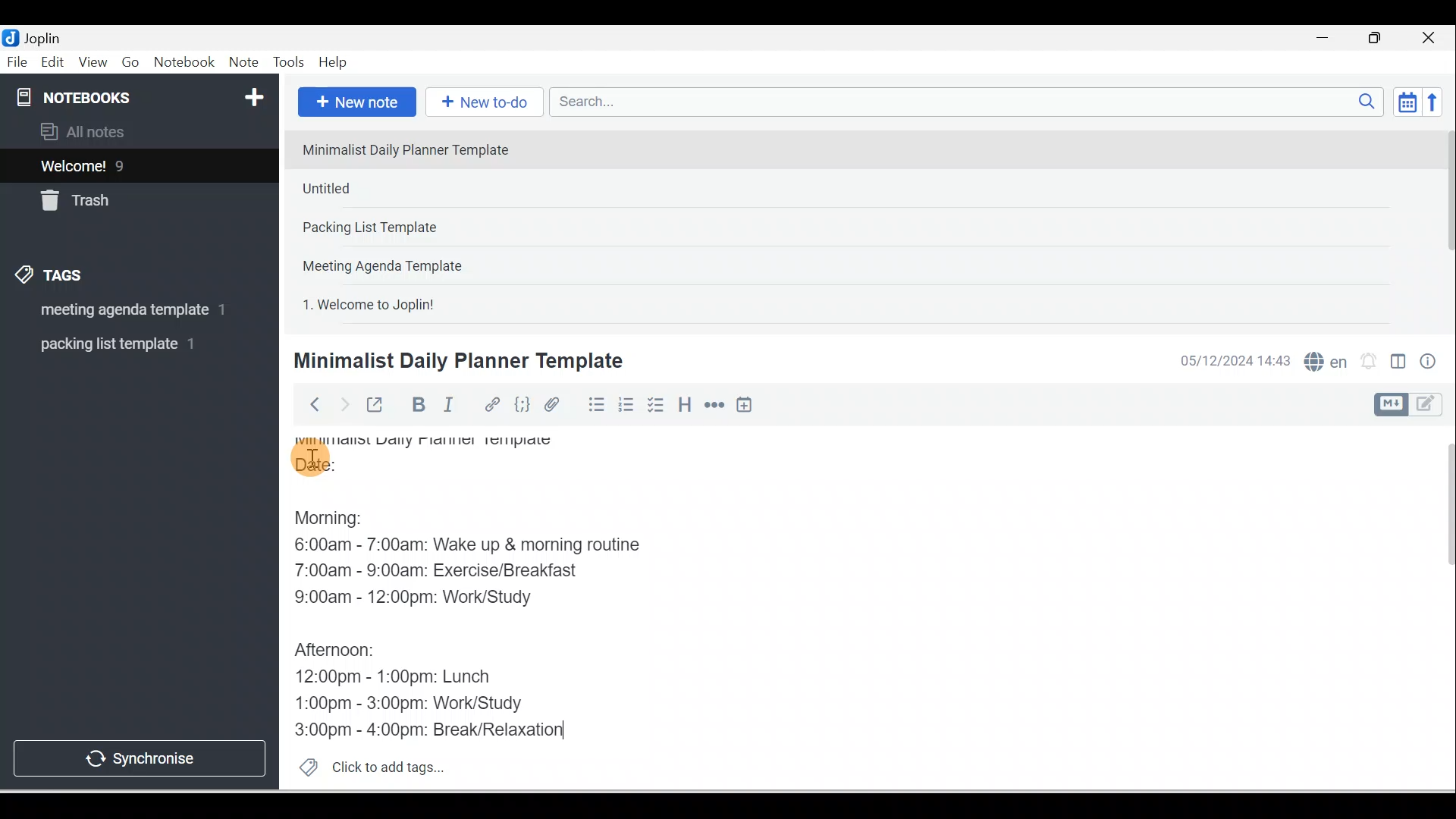  Describe the element at coordinates (716, 405) in the screenshot. I see `Horizontal rule` at that location.